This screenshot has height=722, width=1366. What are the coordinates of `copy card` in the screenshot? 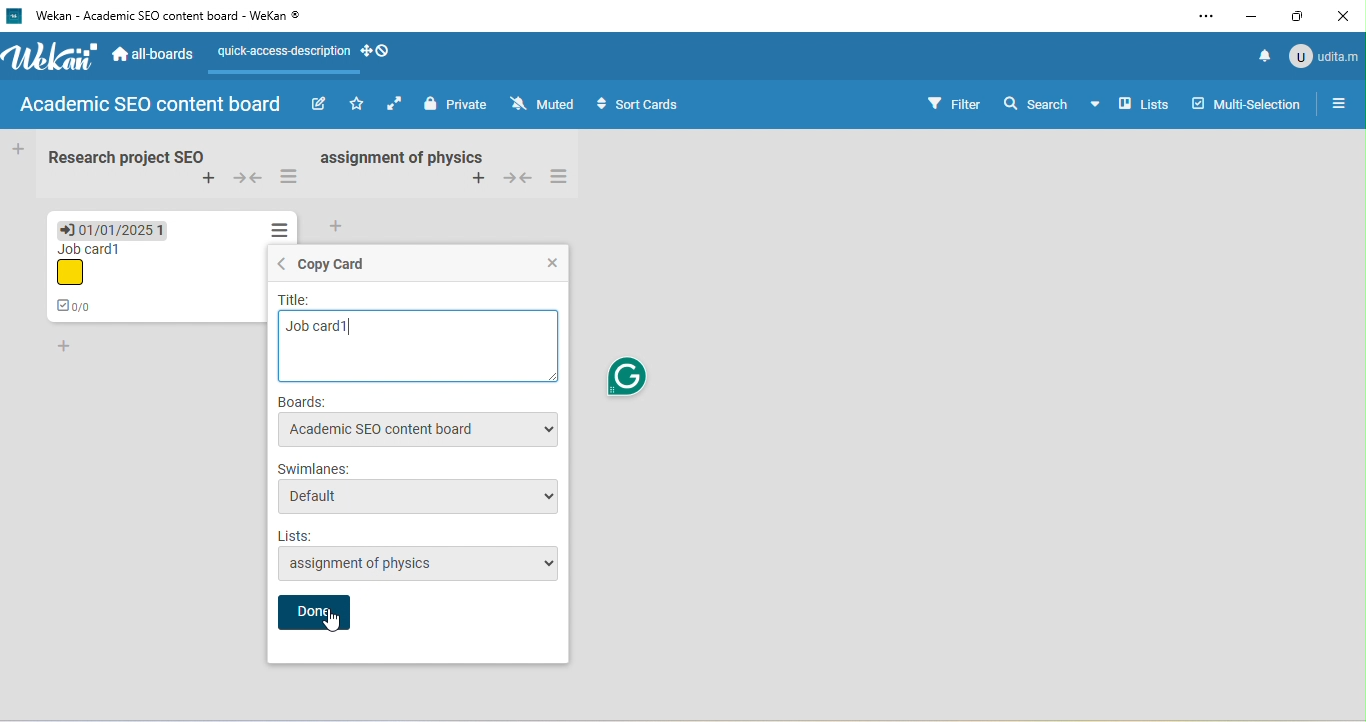 It's located at (328, 261).